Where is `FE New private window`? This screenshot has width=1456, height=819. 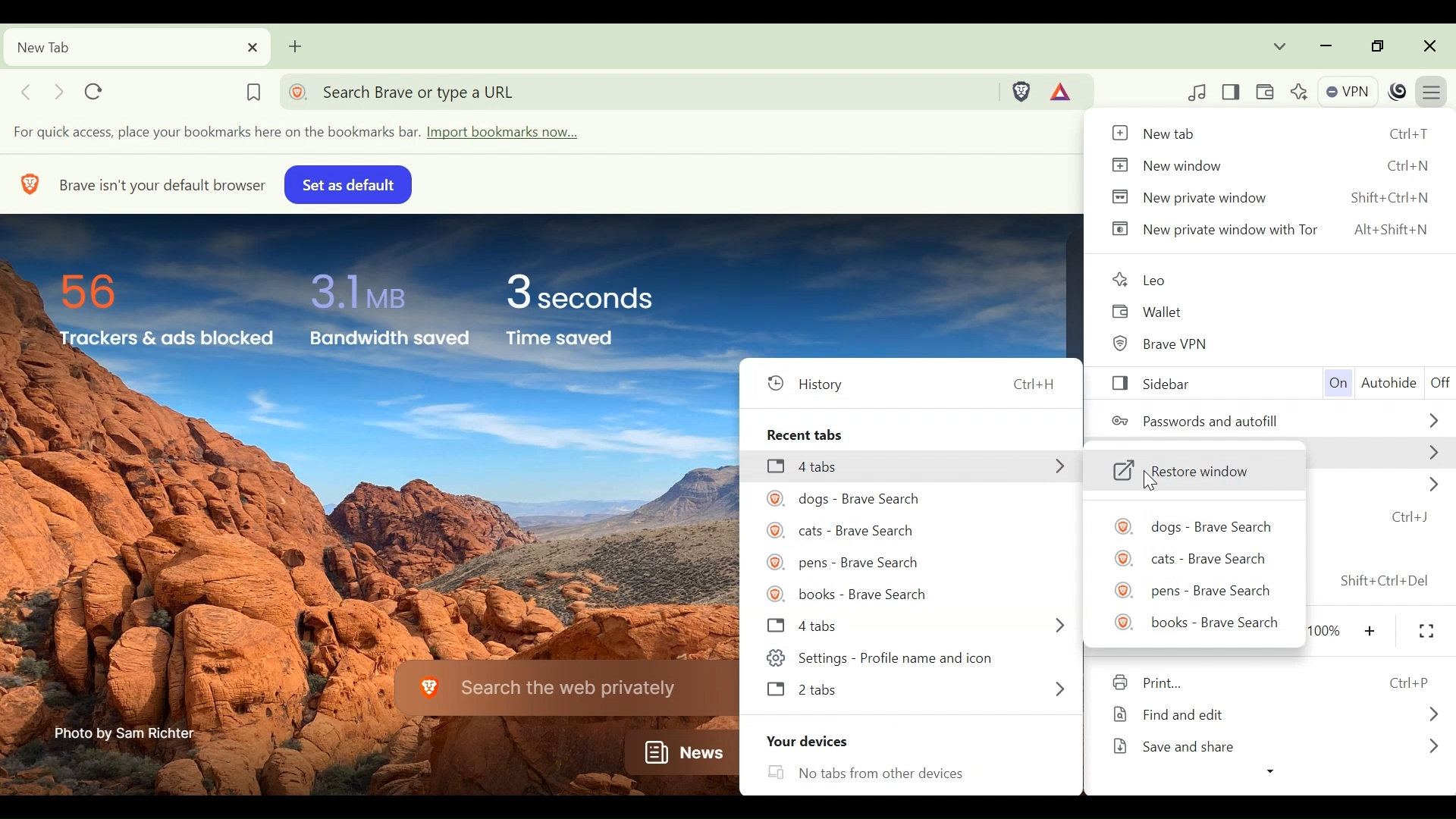 FE New private window is located at coordinates (1191, 196).